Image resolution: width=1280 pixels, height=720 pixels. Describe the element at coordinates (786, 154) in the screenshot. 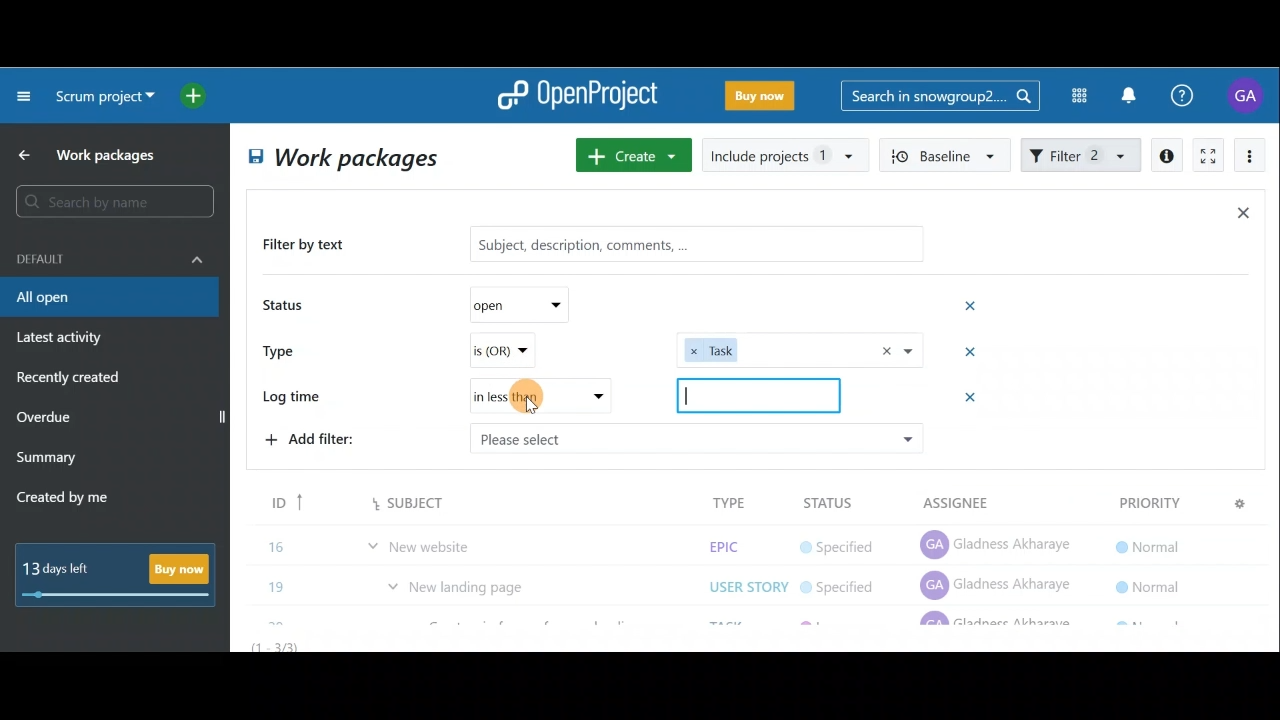

I see `include projects` at that location.